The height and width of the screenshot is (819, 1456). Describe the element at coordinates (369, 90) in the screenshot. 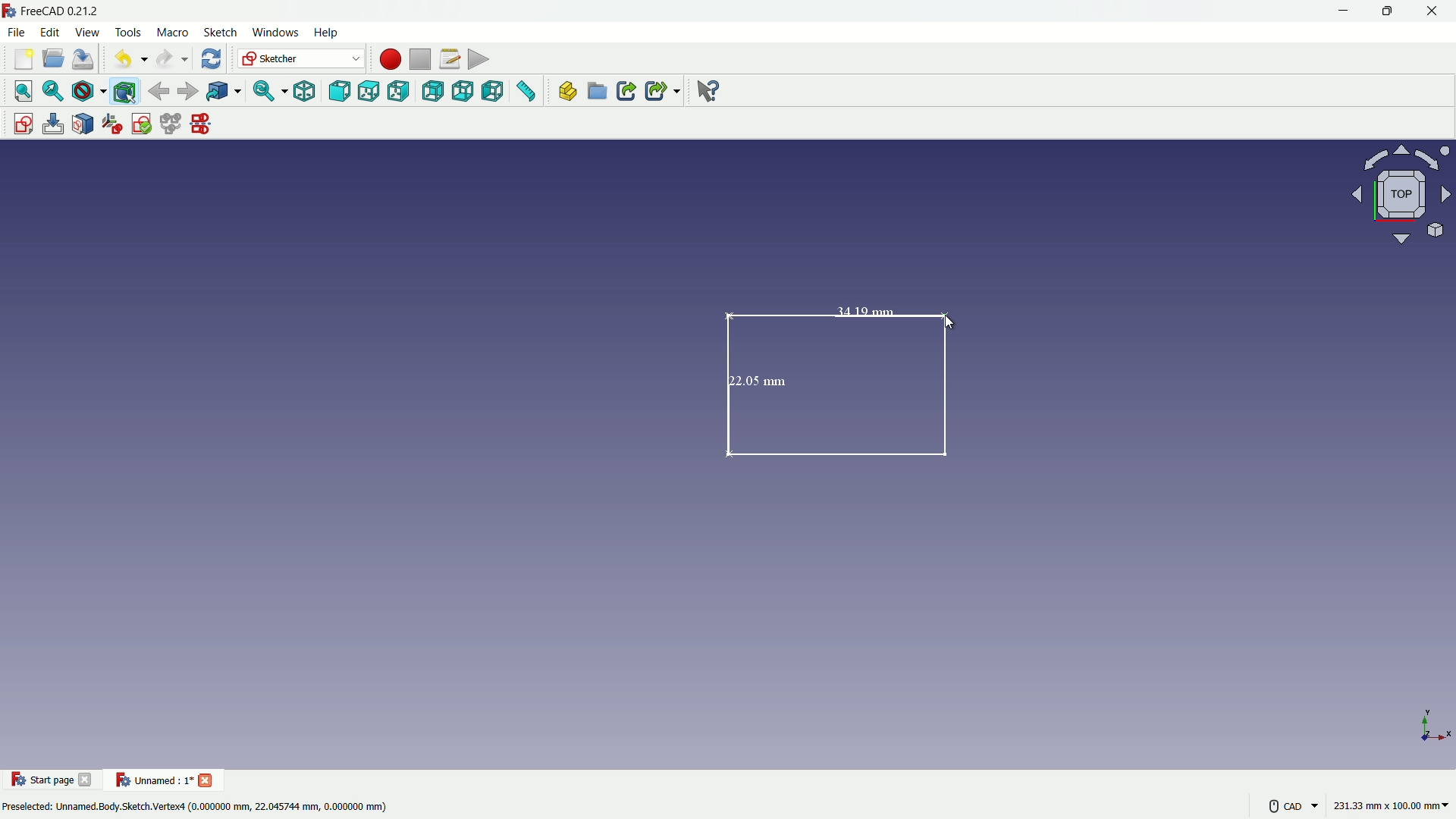

I see `top view` at that location.